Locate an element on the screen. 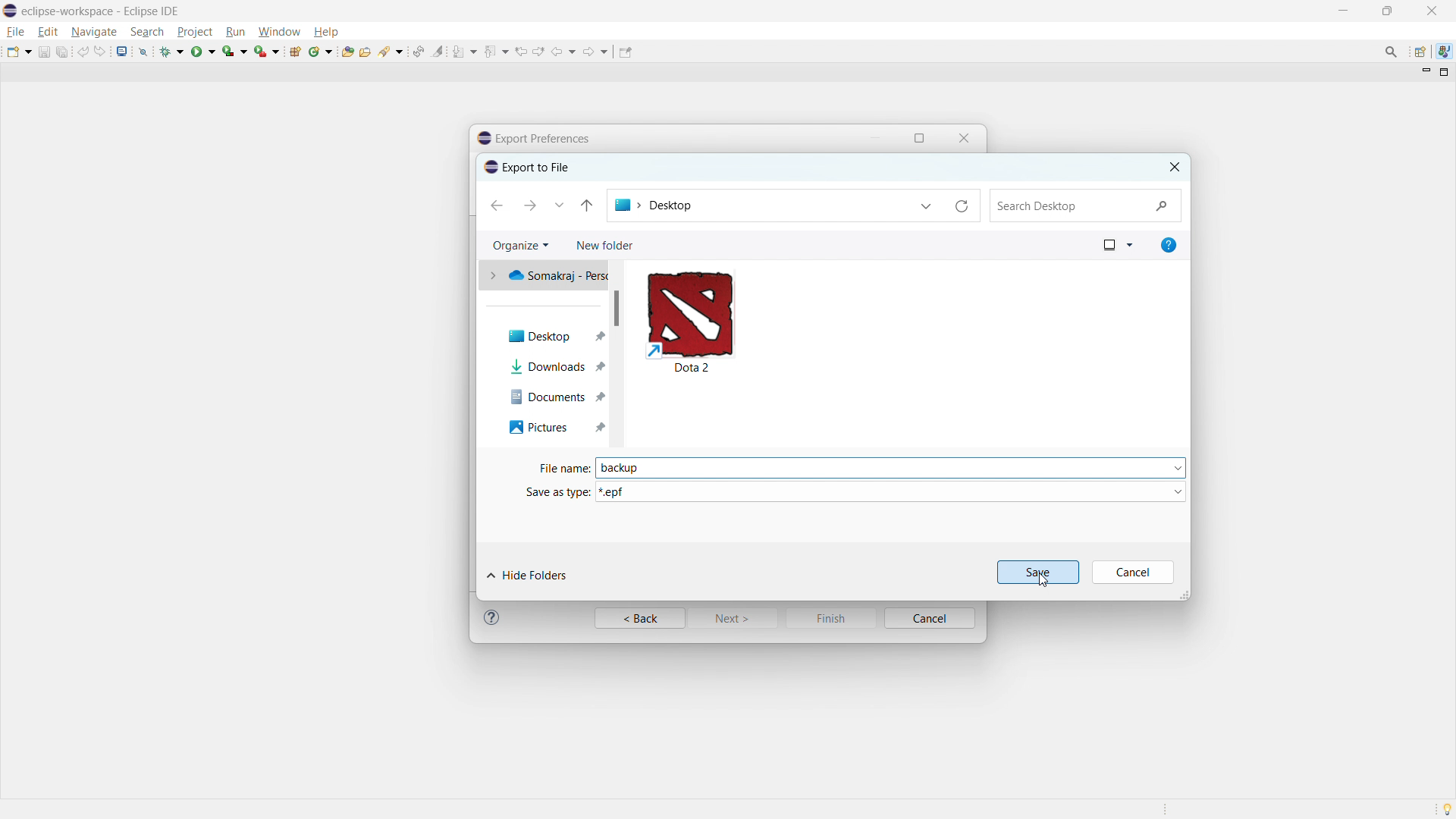 The width and height of the screenshot is (1456, 819). open console is located at coordinates (122, 51).